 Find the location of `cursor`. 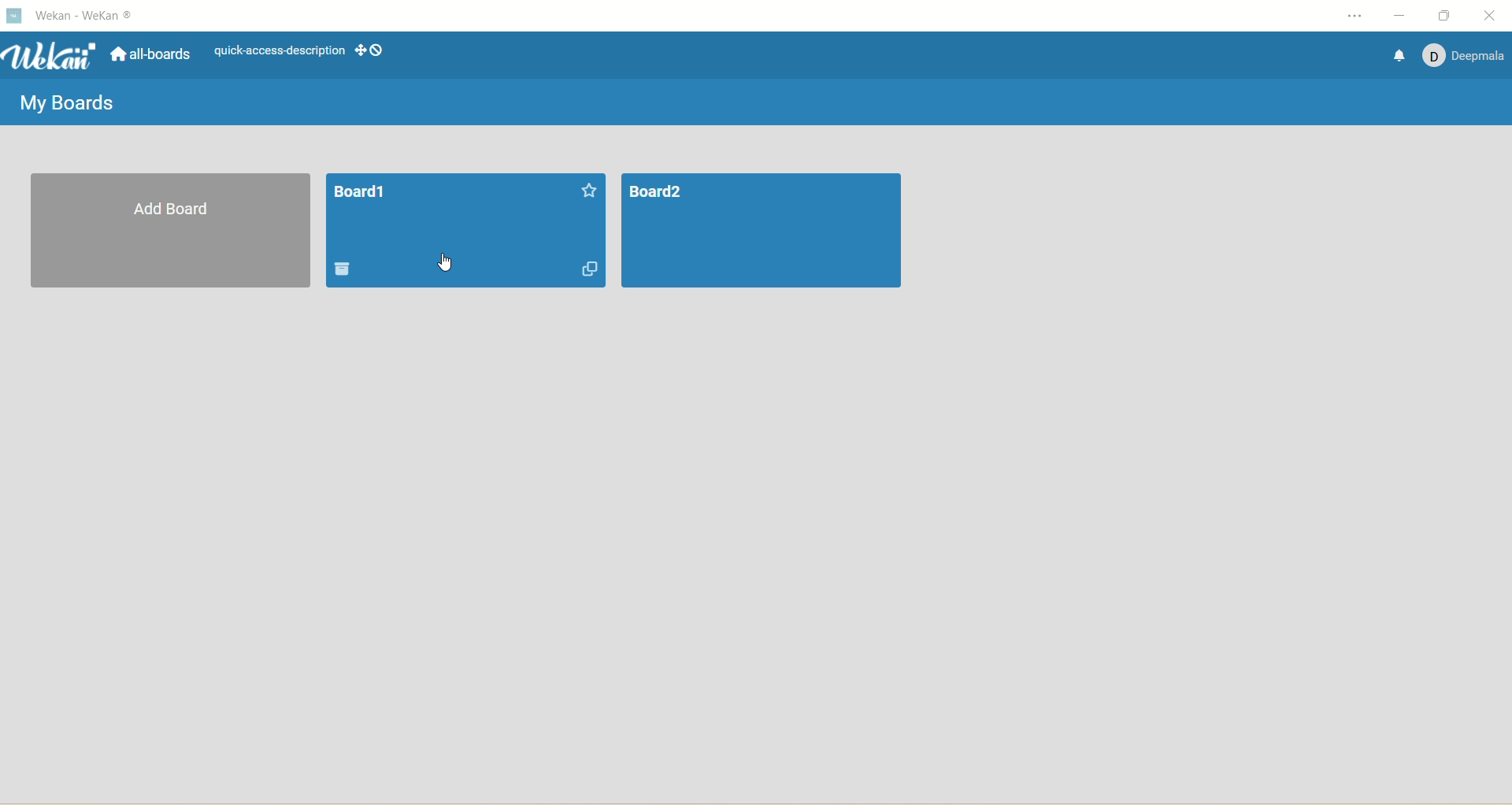

cursor is located at coordinates (441, 262).